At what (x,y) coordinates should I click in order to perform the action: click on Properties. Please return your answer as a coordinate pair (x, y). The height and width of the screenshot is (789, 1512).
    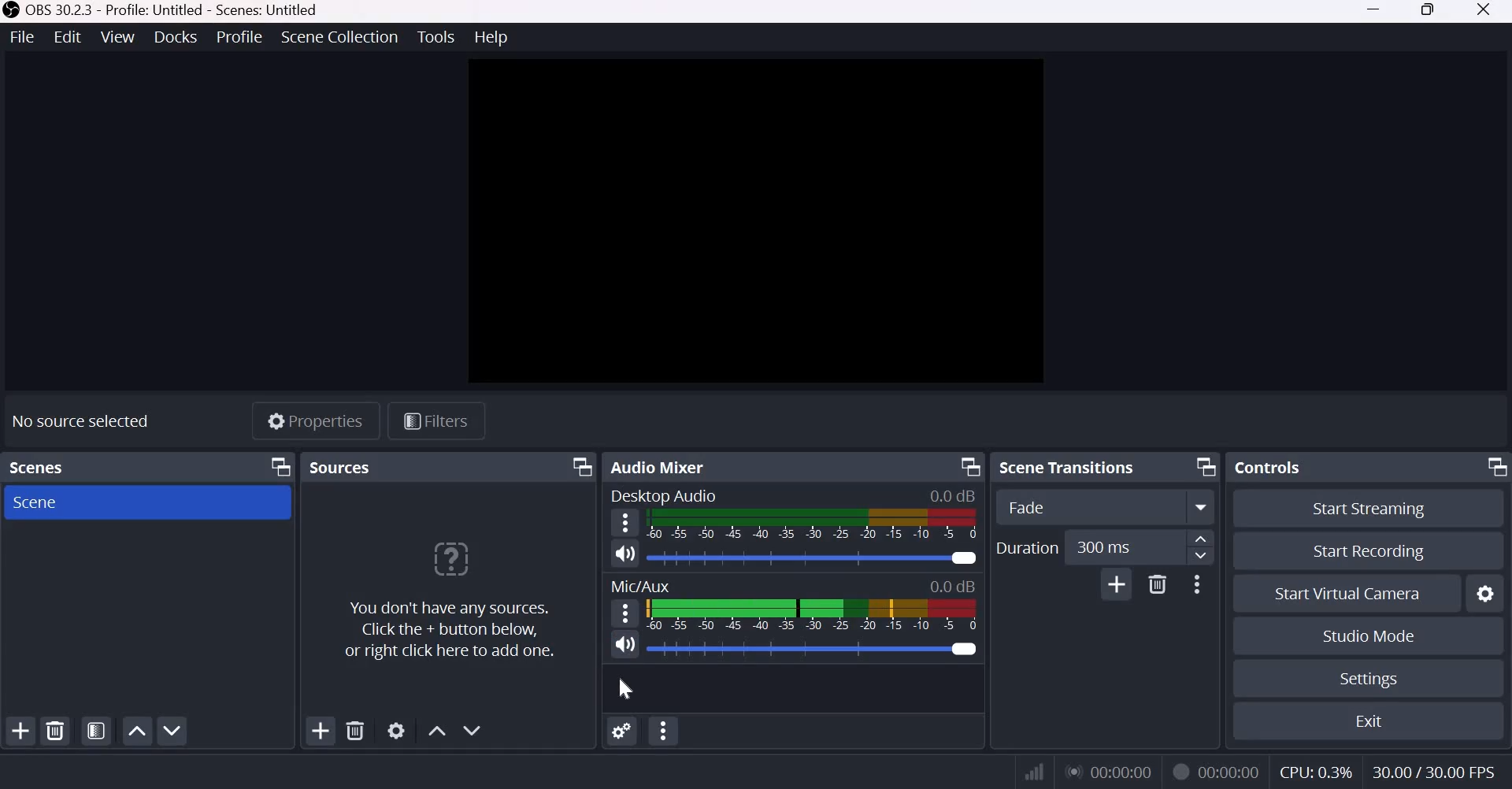
    Looking at the image, I should click on (319, 420).